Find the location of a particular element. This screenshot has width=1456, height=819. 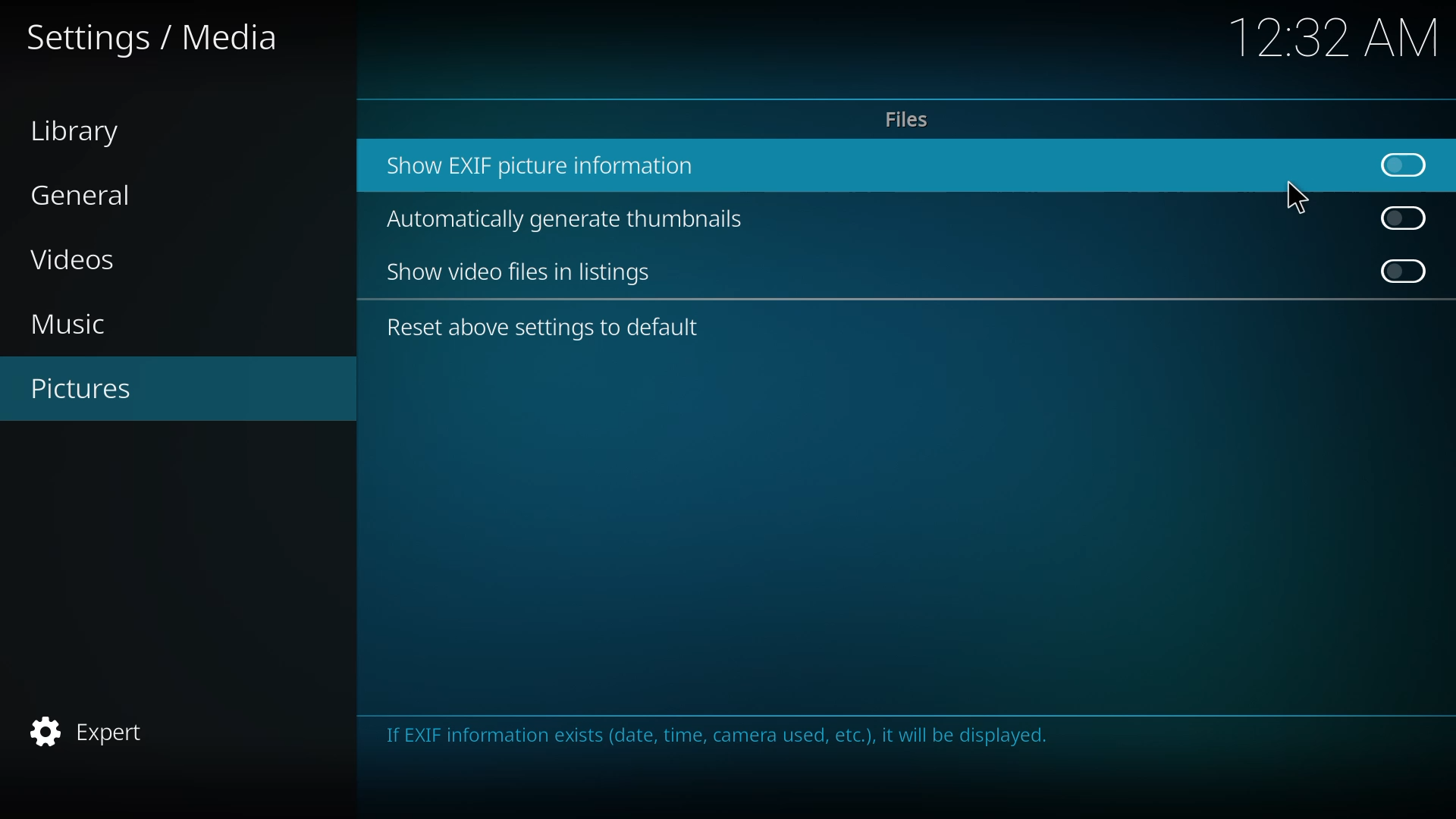

files is located at coordinates (908, 119).